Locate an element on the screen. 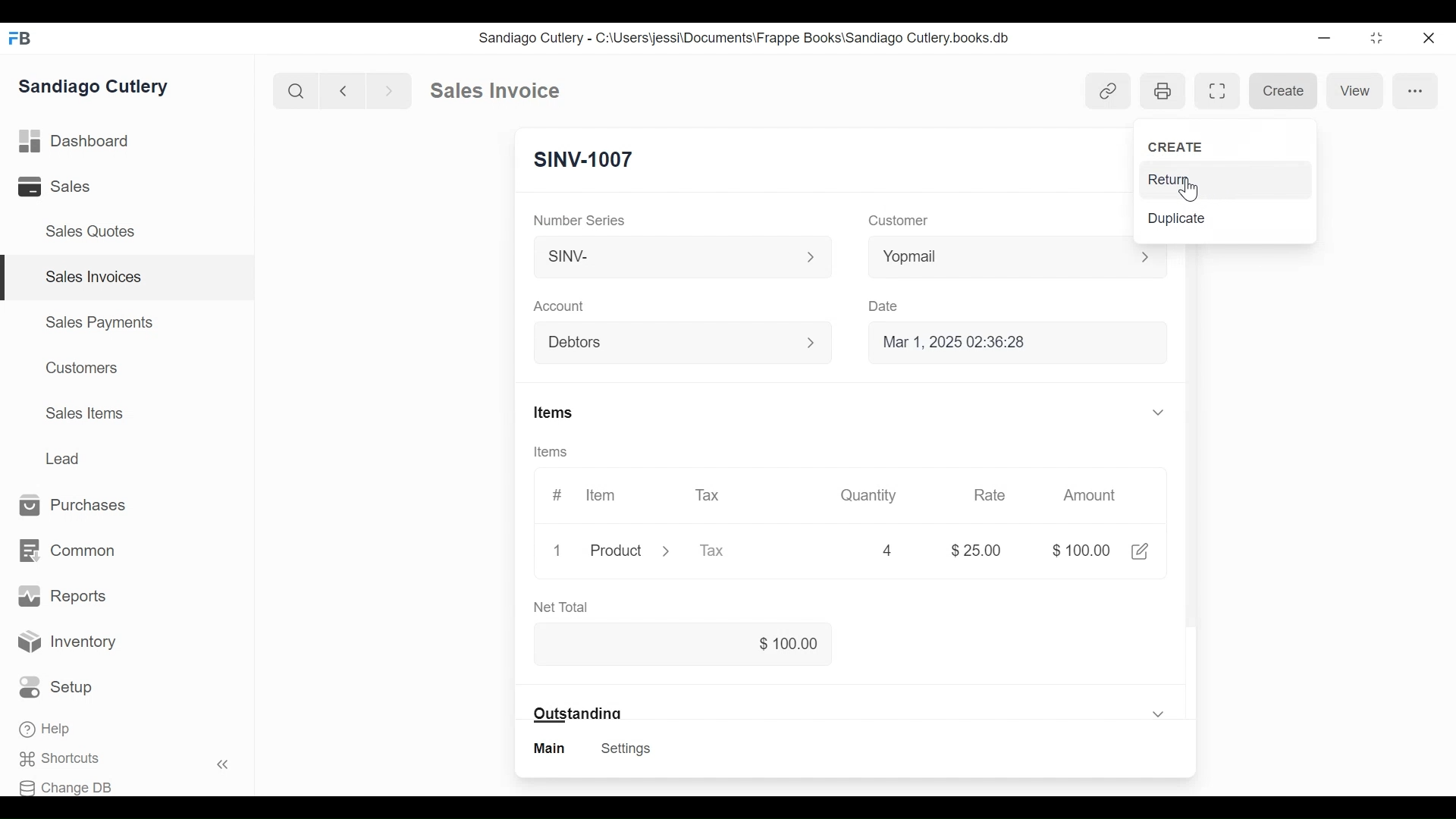 This screenshot has height=819, width=1456. Main is located at coordinates (551, 748).